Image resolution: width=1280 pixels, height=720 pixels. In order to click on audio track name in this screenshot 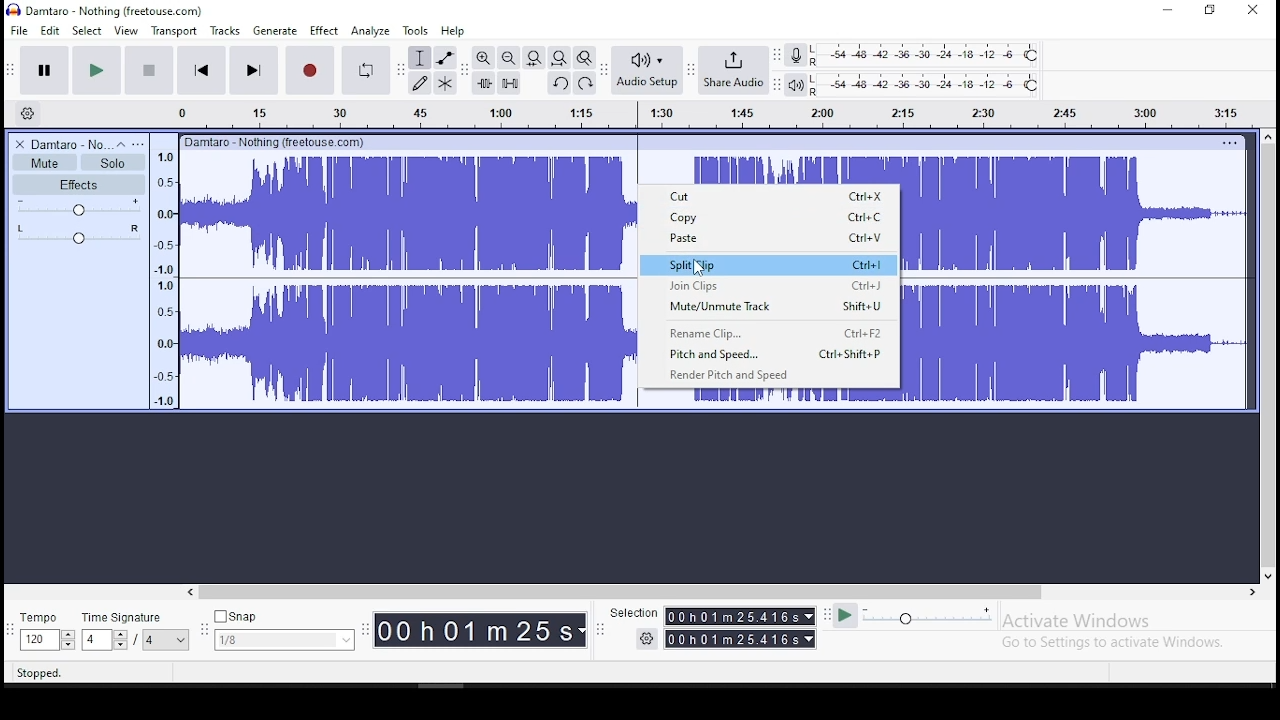, I will do `click(69, 143)`.